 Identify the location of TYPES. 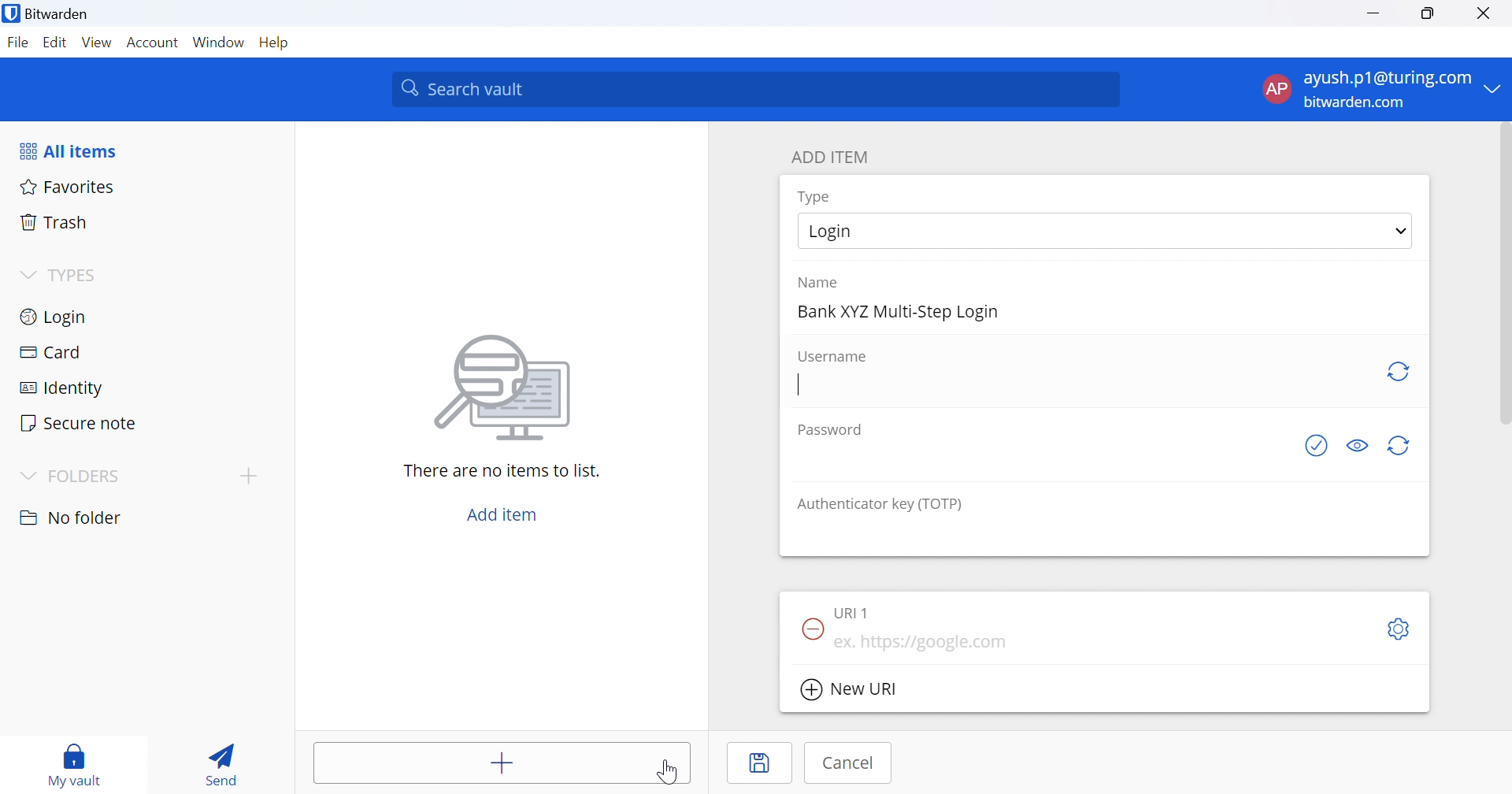
(77, 276).